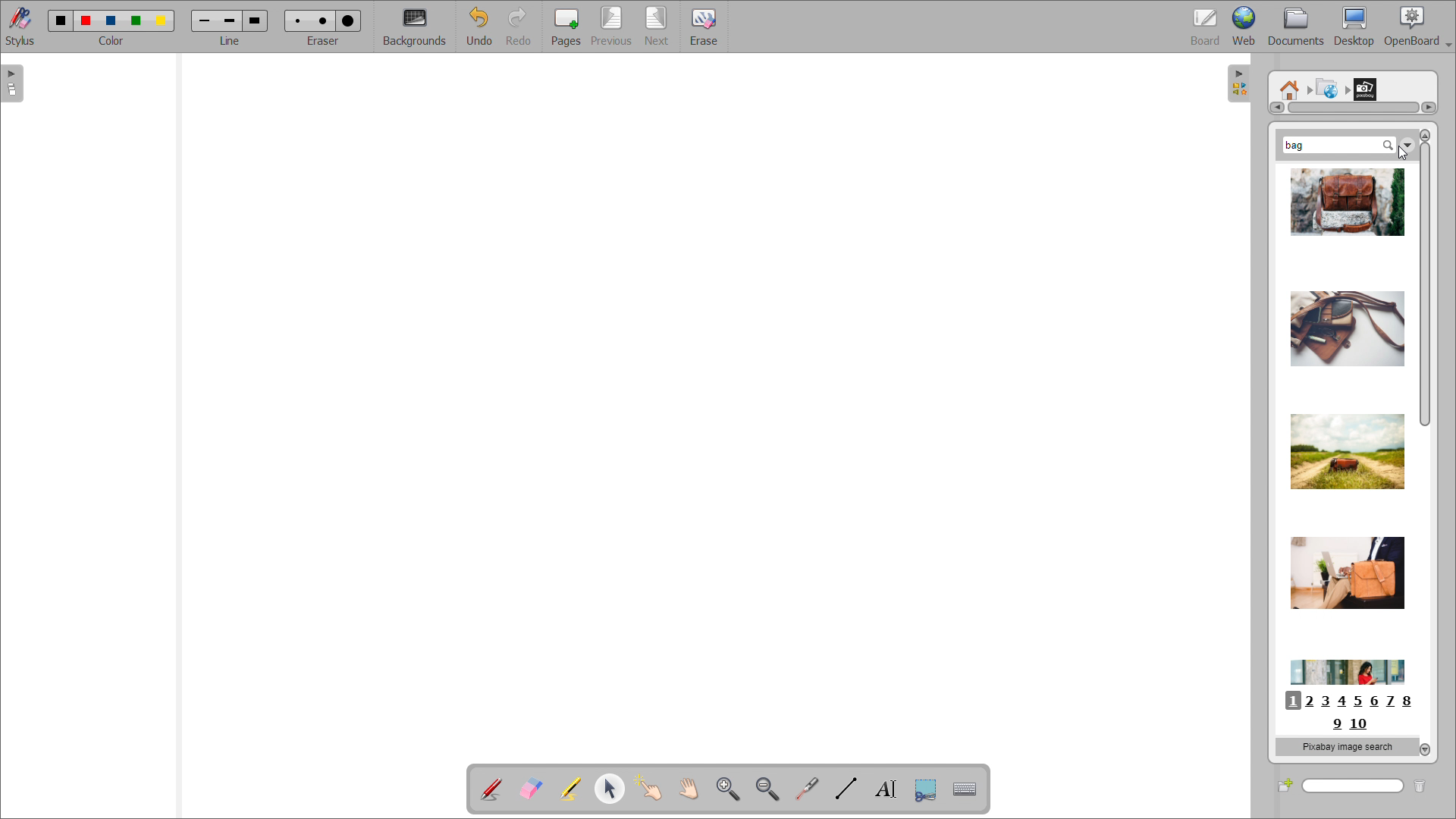 The image size is (1456, 819). Describe the element at coordinates (163, 20) in the screenshot. I see `Color 5` at that location.